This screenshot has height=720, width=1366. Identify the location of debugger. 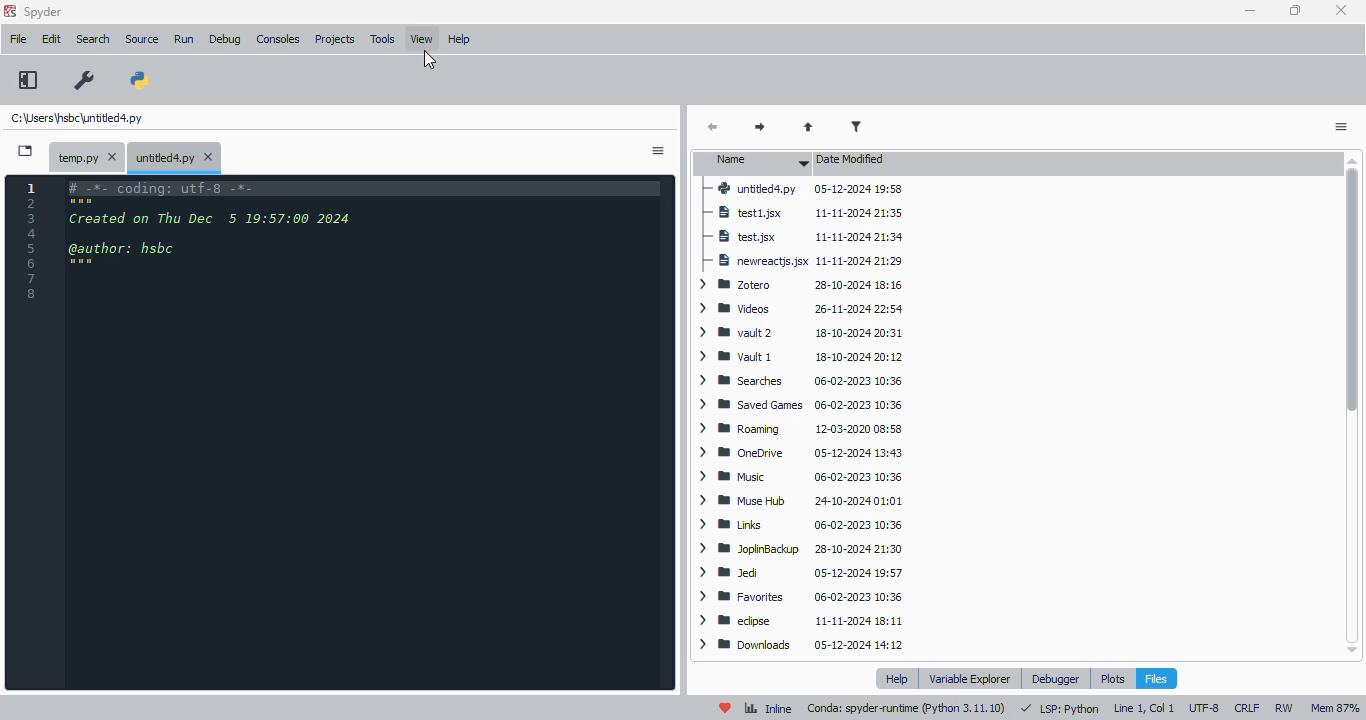
(1055, 679).